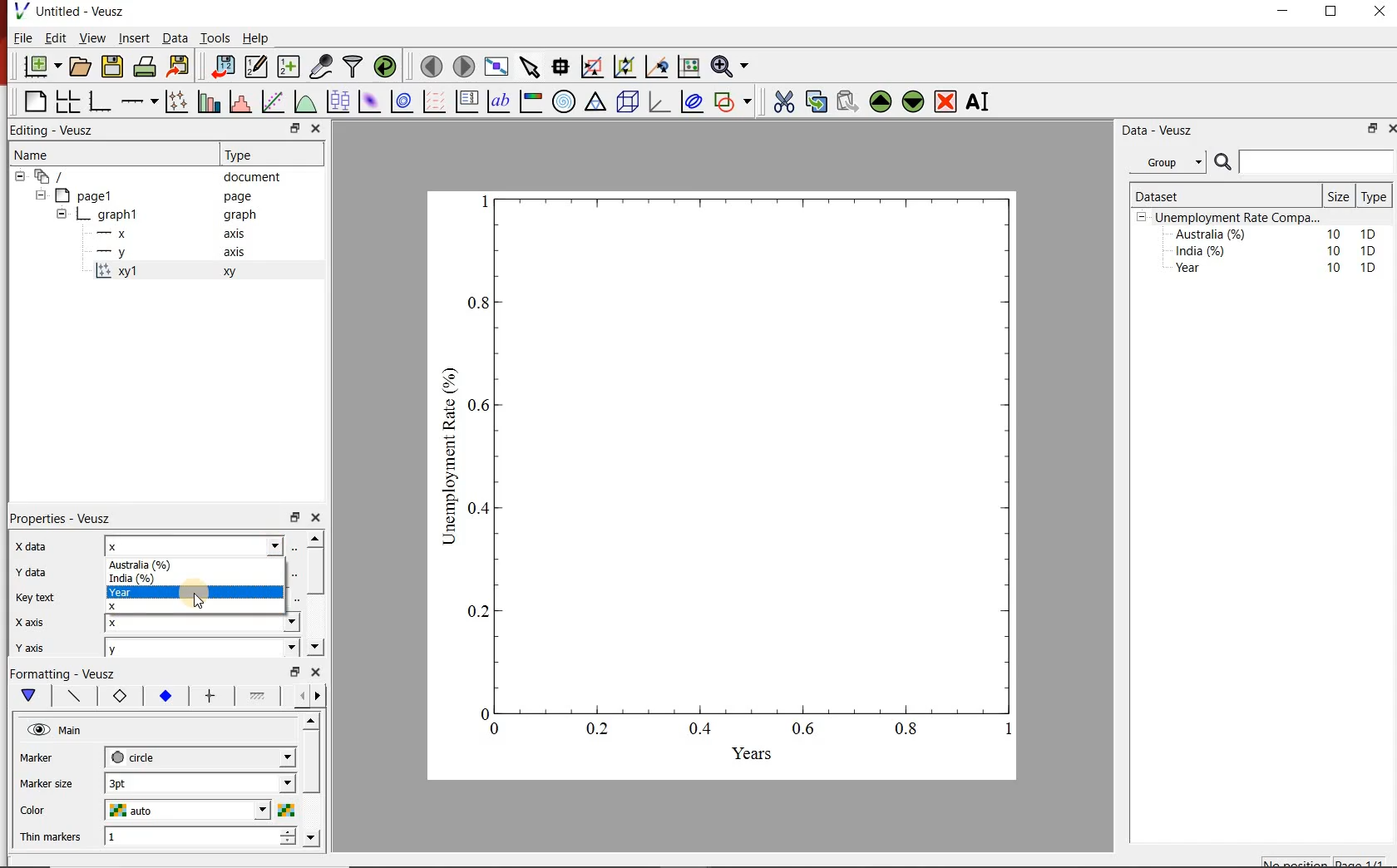 This screenshot has width=1397, height=868. I want to click on auto, so click(190, 811).